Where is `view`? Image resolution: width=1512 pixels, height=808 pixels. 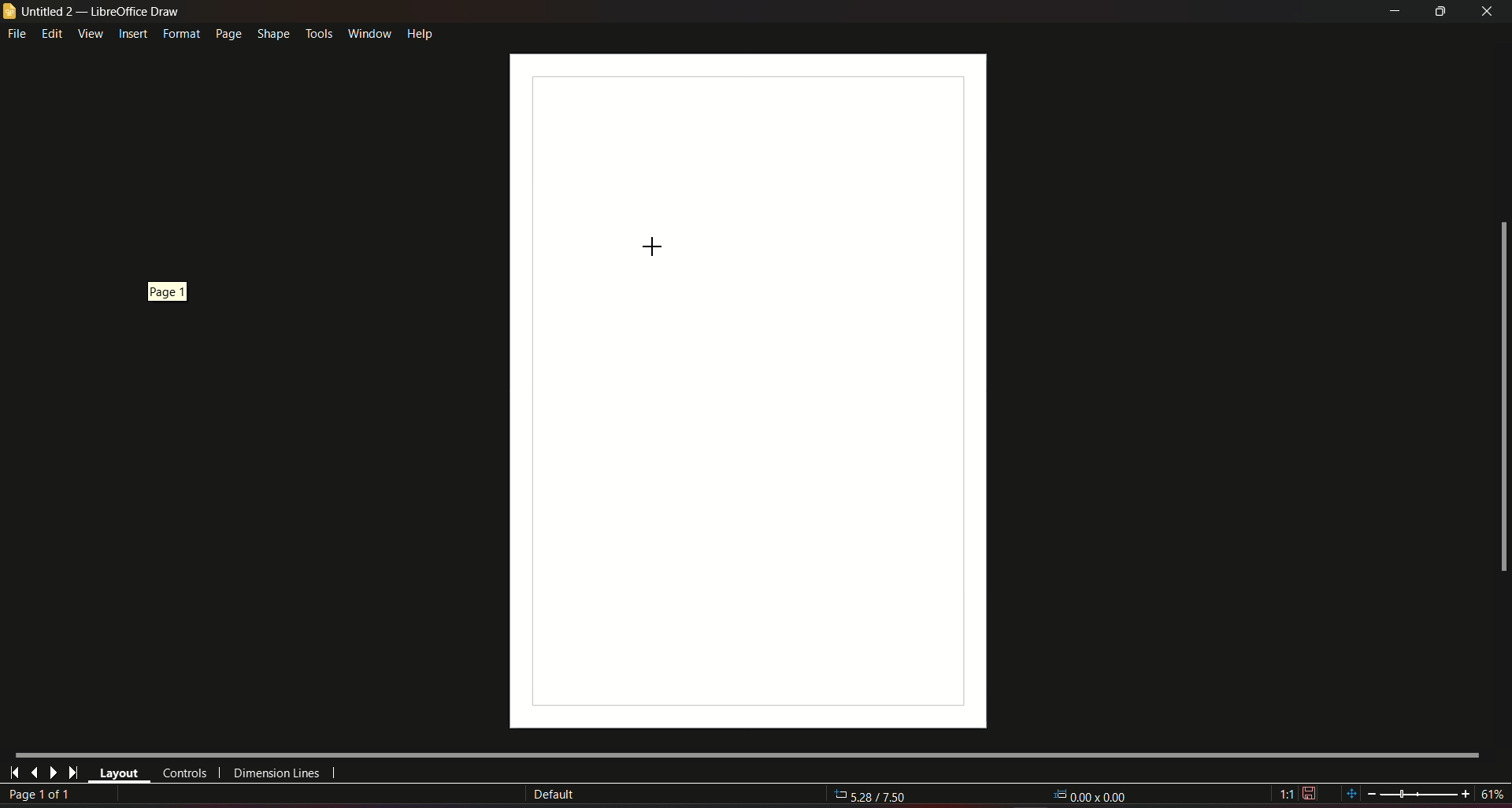
view is located at coordinates (90, 33).